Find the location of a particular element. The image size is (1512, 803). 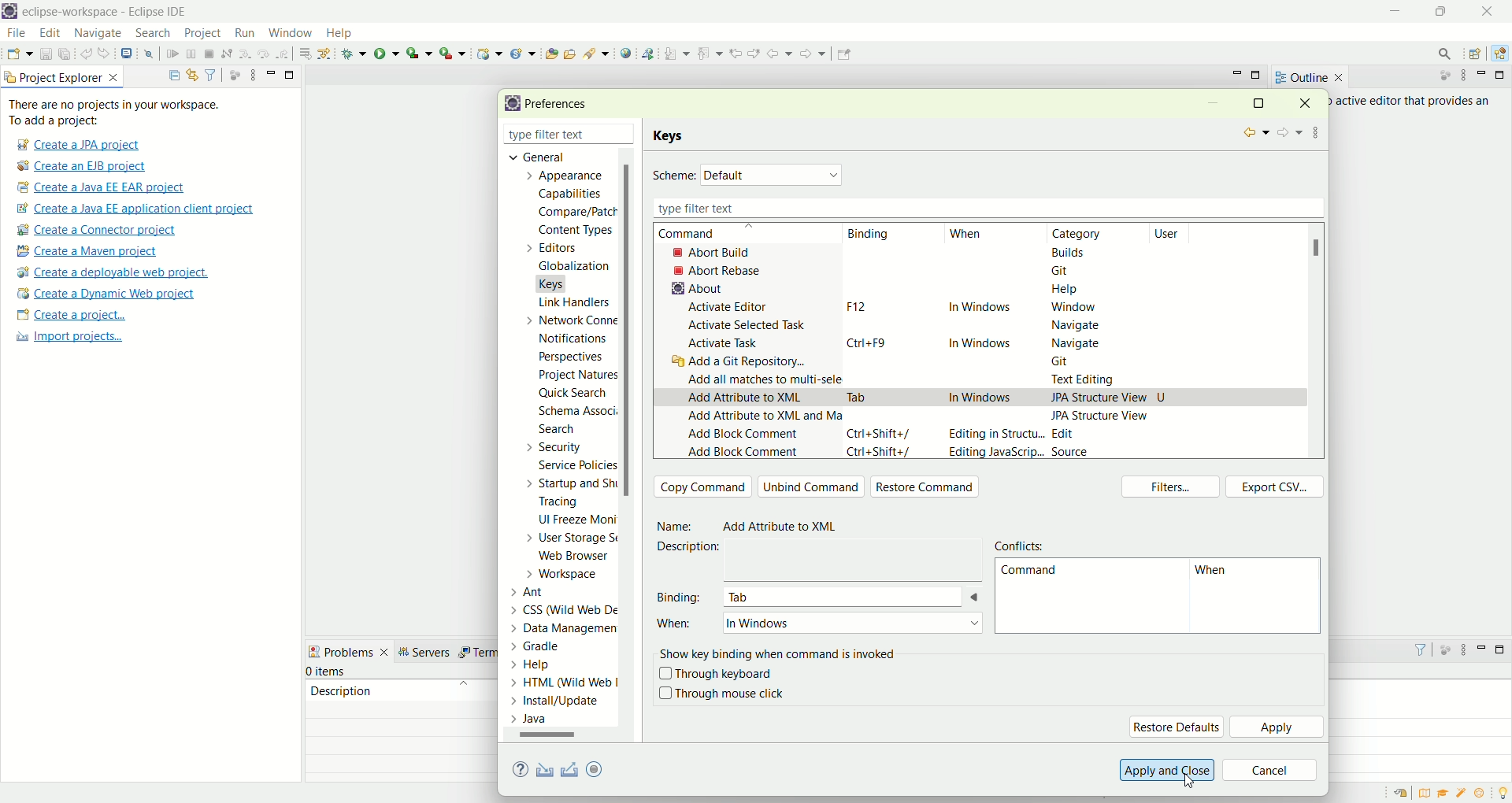

keys is located at coordinates (561, 282).